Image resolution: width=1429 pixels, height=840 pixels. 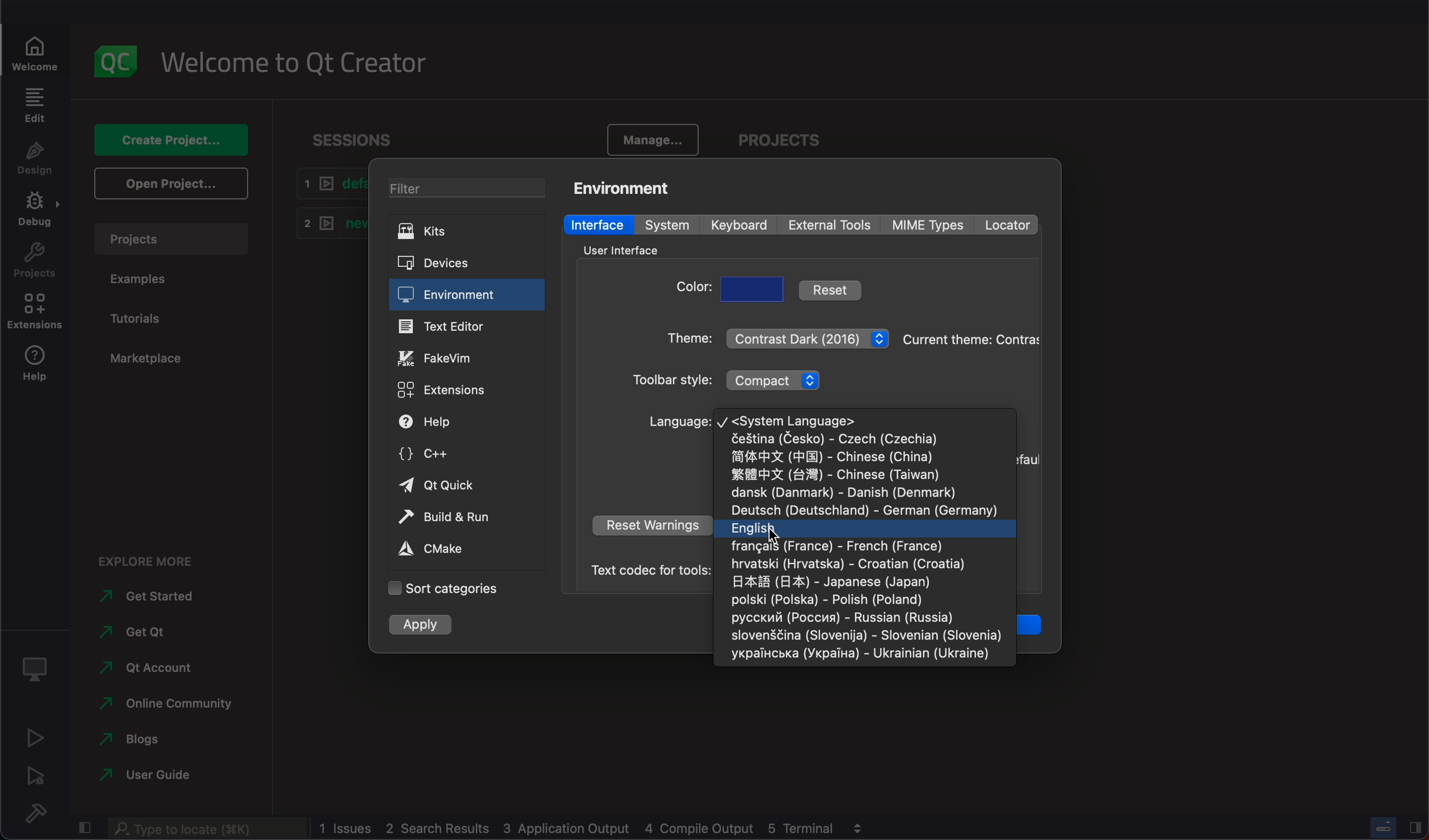 What do you see at coordinates (34, 737) in the screenshot?
I see `run` at bounding box center [34, 737].